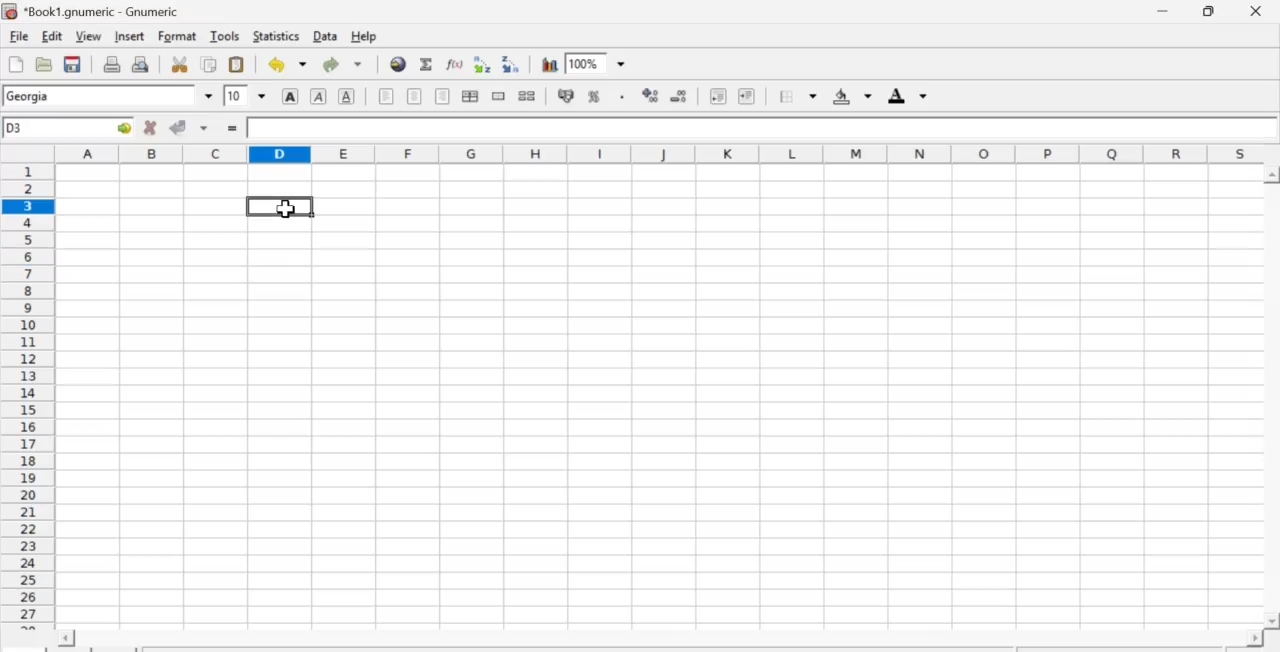 The width and height of the screenshot is (1280, 652). What do you see at coordinates (244, 95) in the screenshot?
I see `Font Size` at bounding box center [244, 95].